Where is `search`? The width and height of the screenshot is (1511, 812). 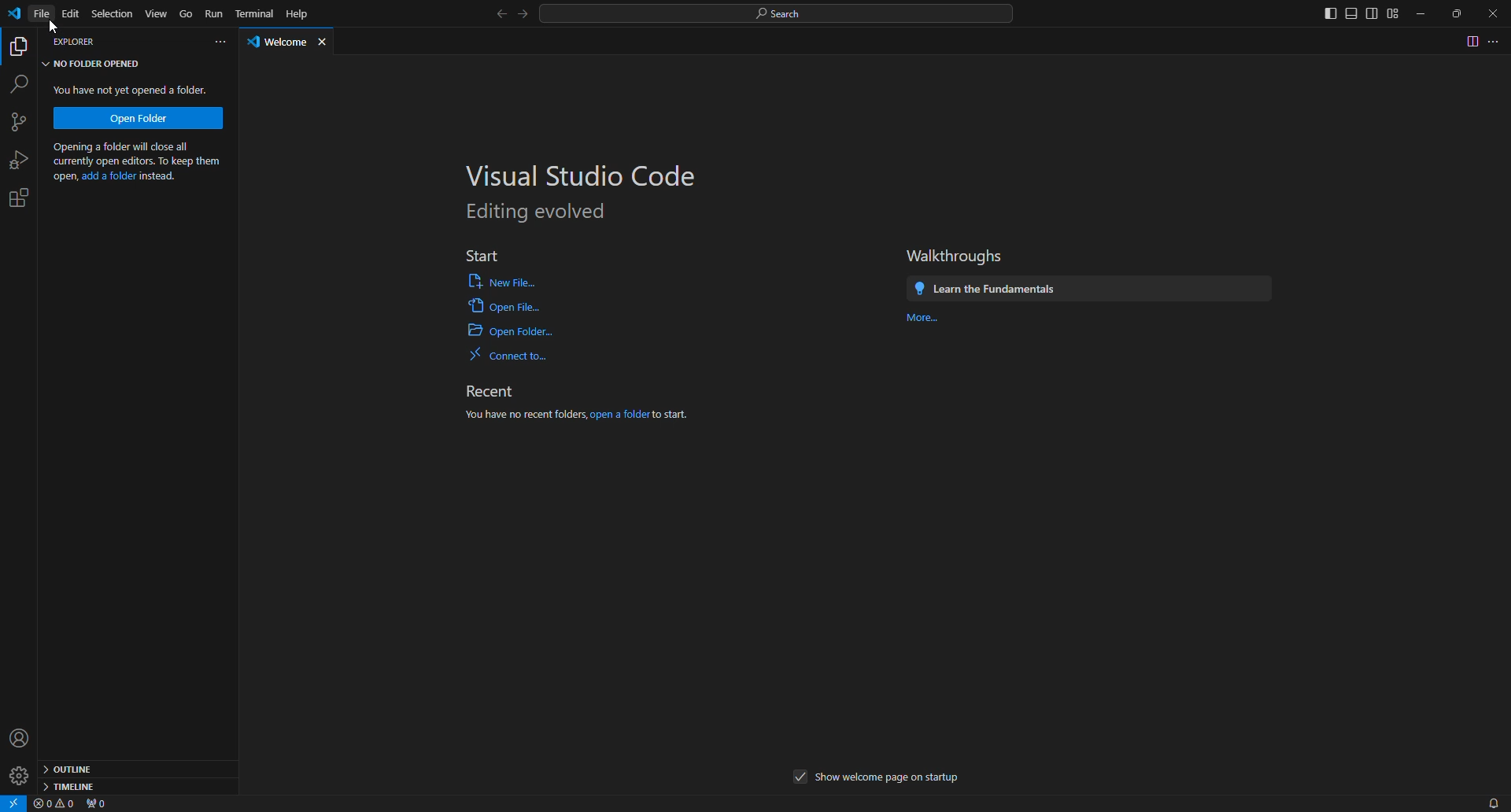
search is located at coordinates (779, 13).